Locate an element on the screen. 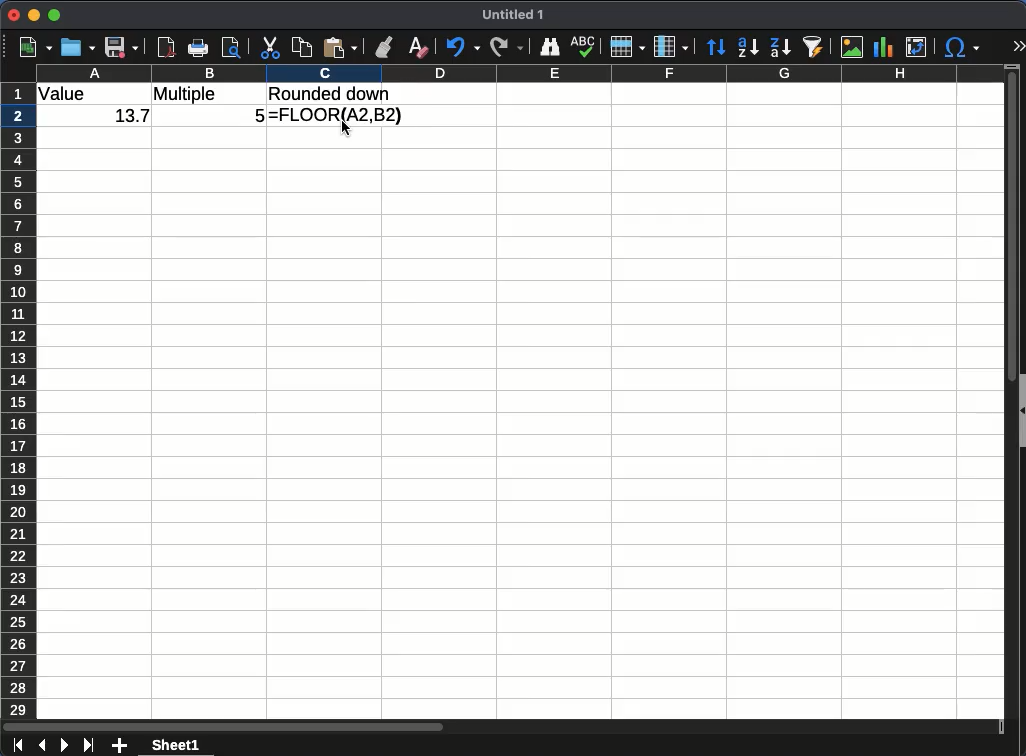  finder is located at coordinates (550, 48).